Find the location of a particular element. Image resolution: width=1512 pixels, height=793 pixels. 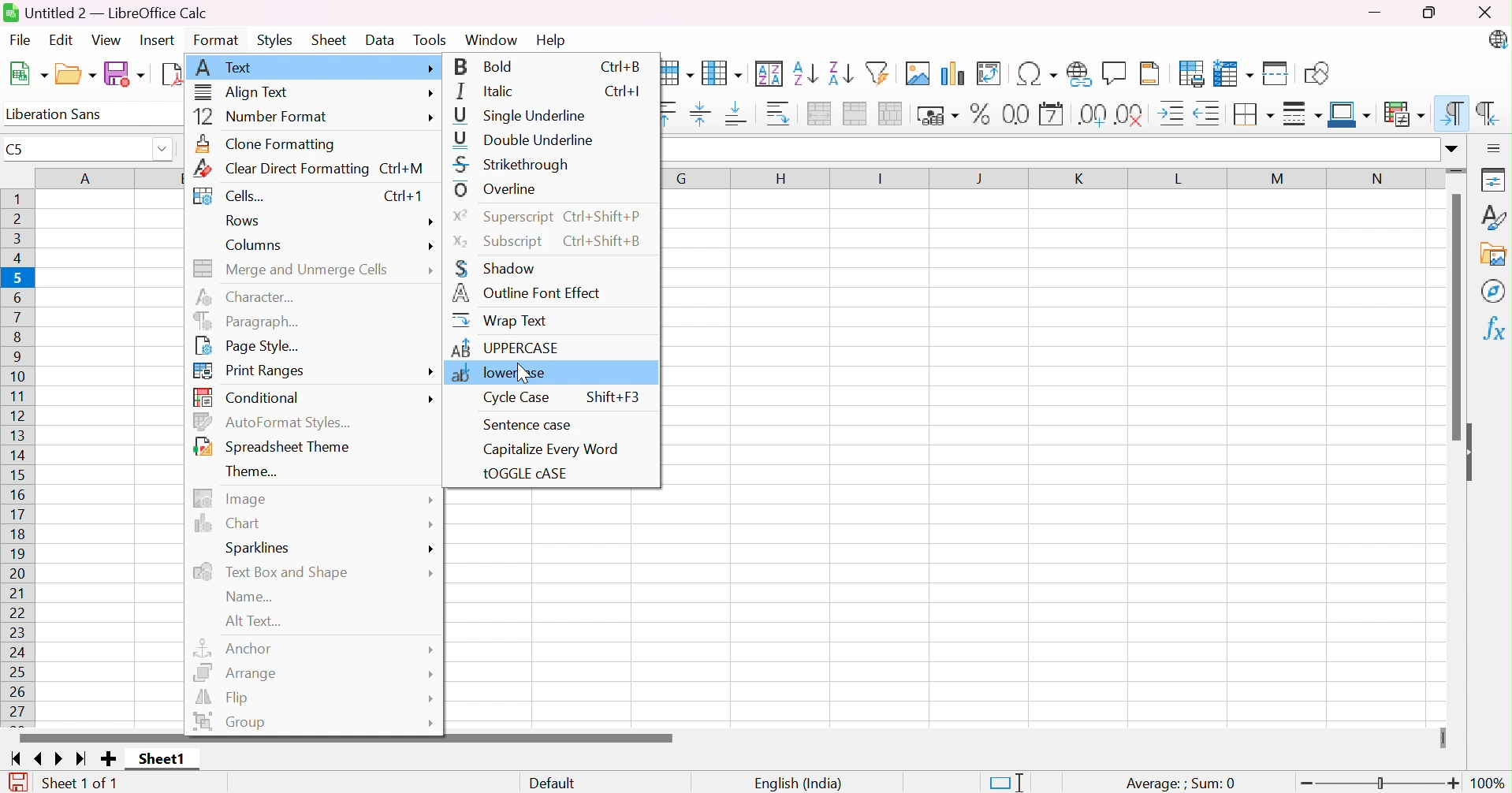

More is located at coordinates (430, 68).